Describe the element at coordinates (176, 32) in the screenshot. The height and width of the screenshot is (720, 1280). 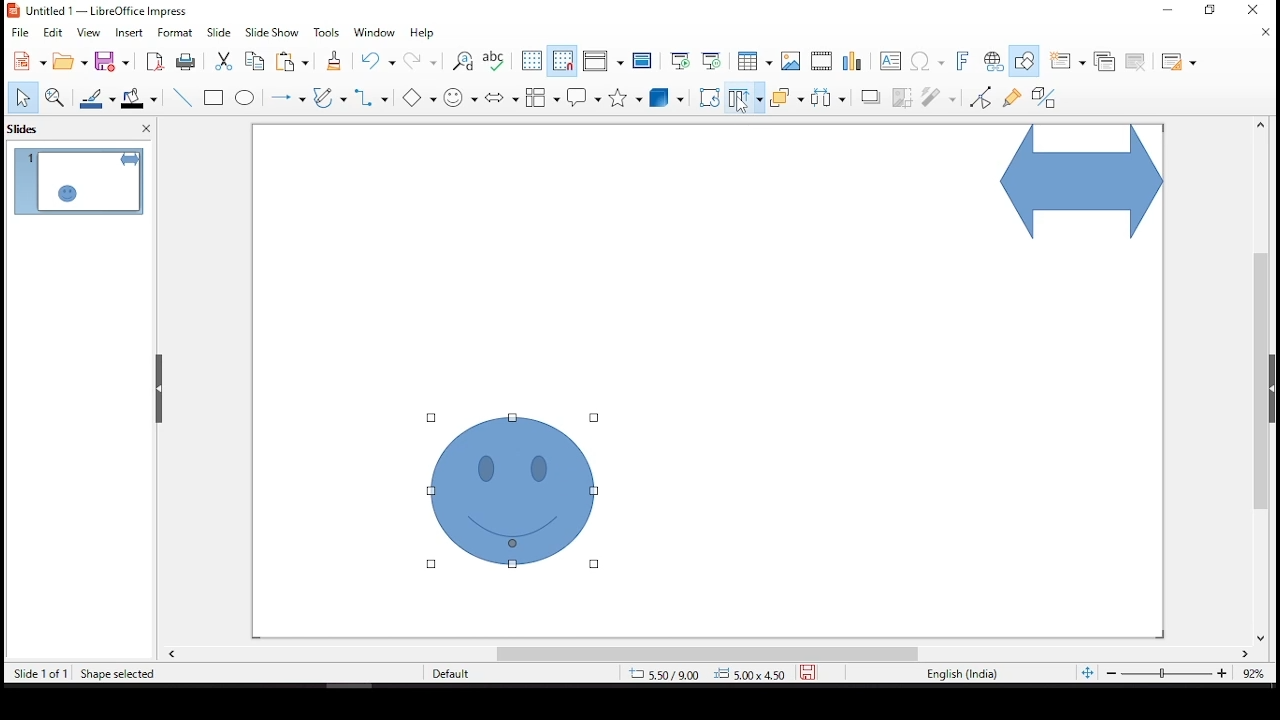
I see `format` at that location.